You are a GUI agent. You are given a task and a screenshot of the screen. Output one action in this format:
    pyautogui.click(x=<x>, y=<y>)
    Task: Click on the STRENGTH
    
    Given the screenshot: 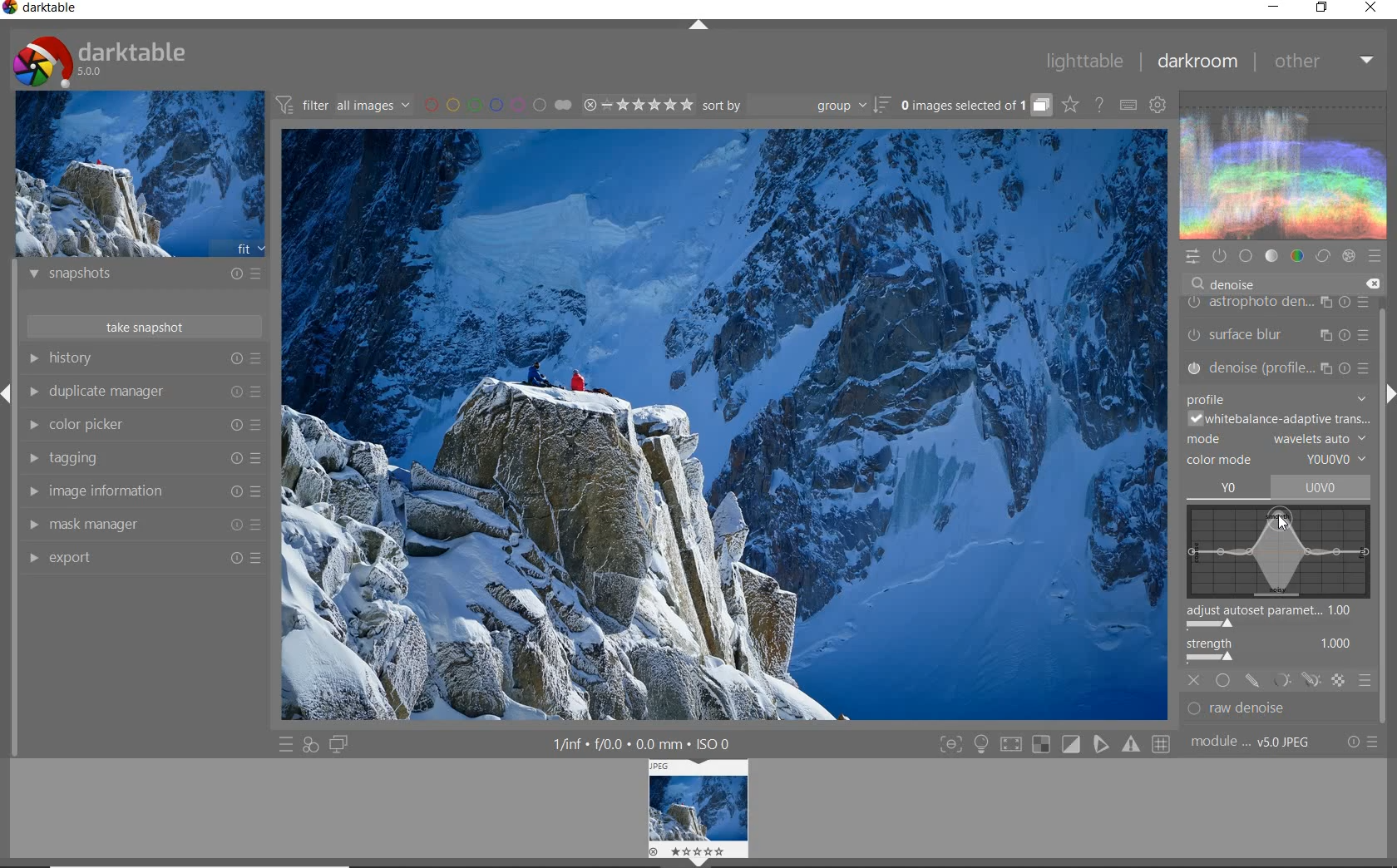 What is the action you would take?
    pyautogui.click(x=1281, y=652)
    